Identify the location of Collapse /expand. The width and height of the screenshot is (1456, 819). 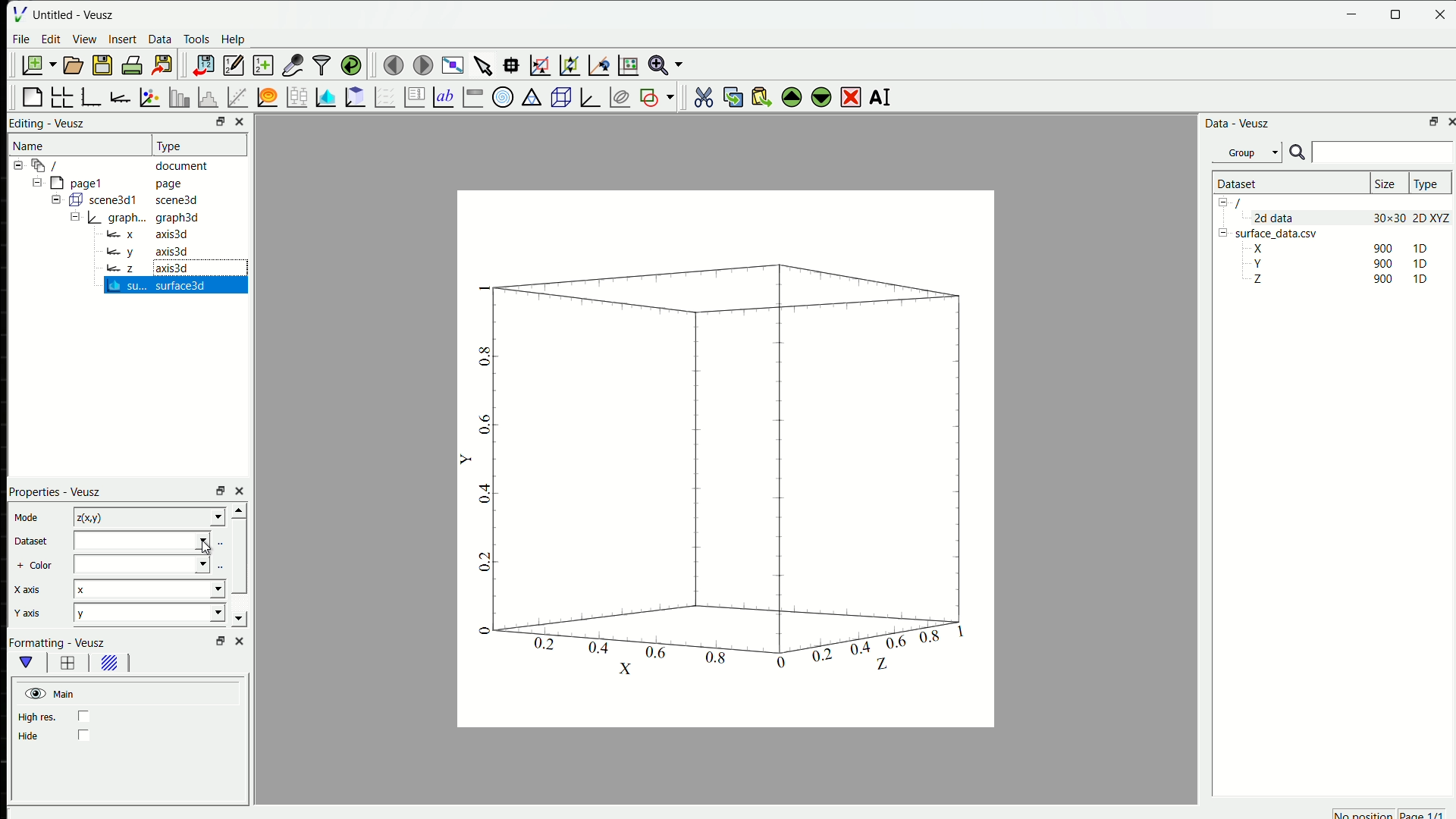
(56, 199).